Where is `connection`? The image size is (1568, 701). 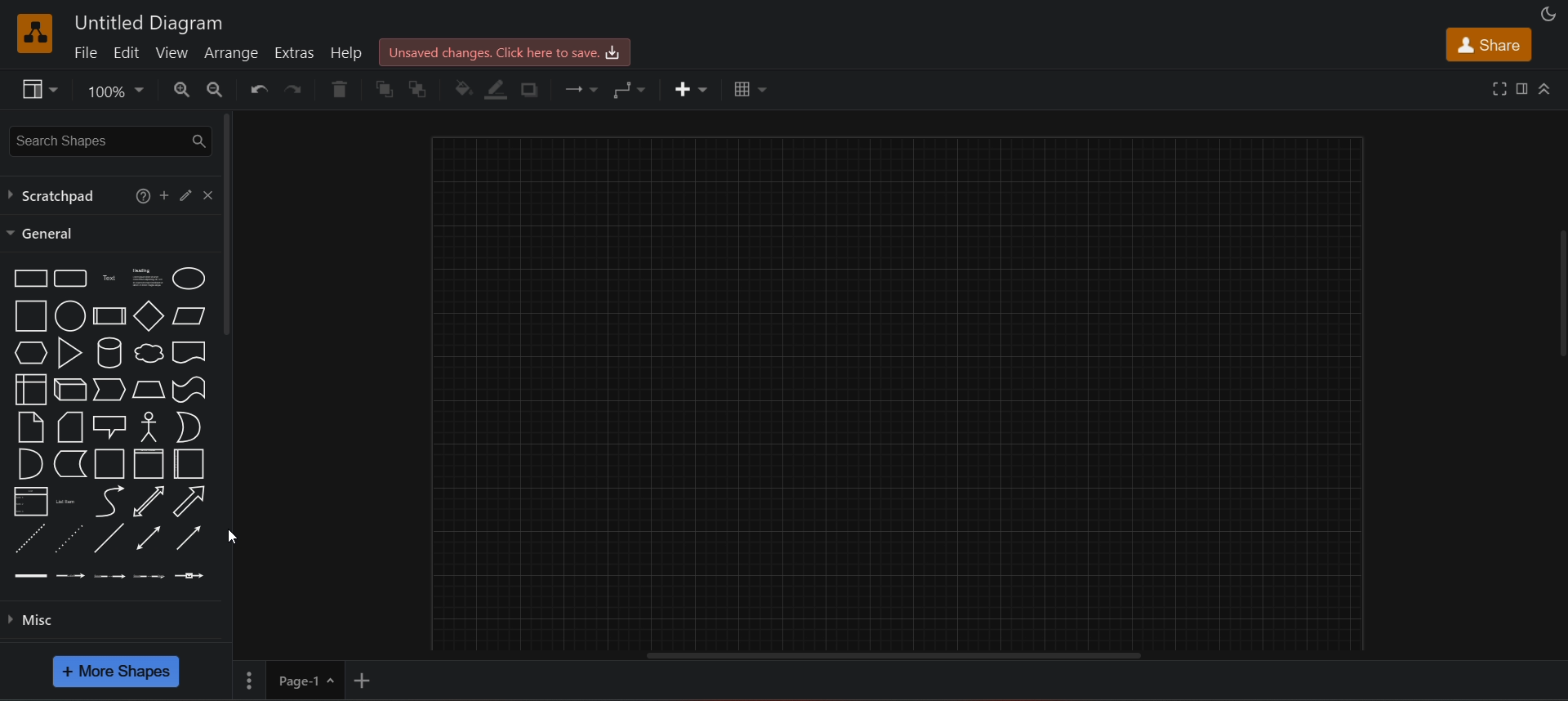 connection is located at coordinates (577, 87).